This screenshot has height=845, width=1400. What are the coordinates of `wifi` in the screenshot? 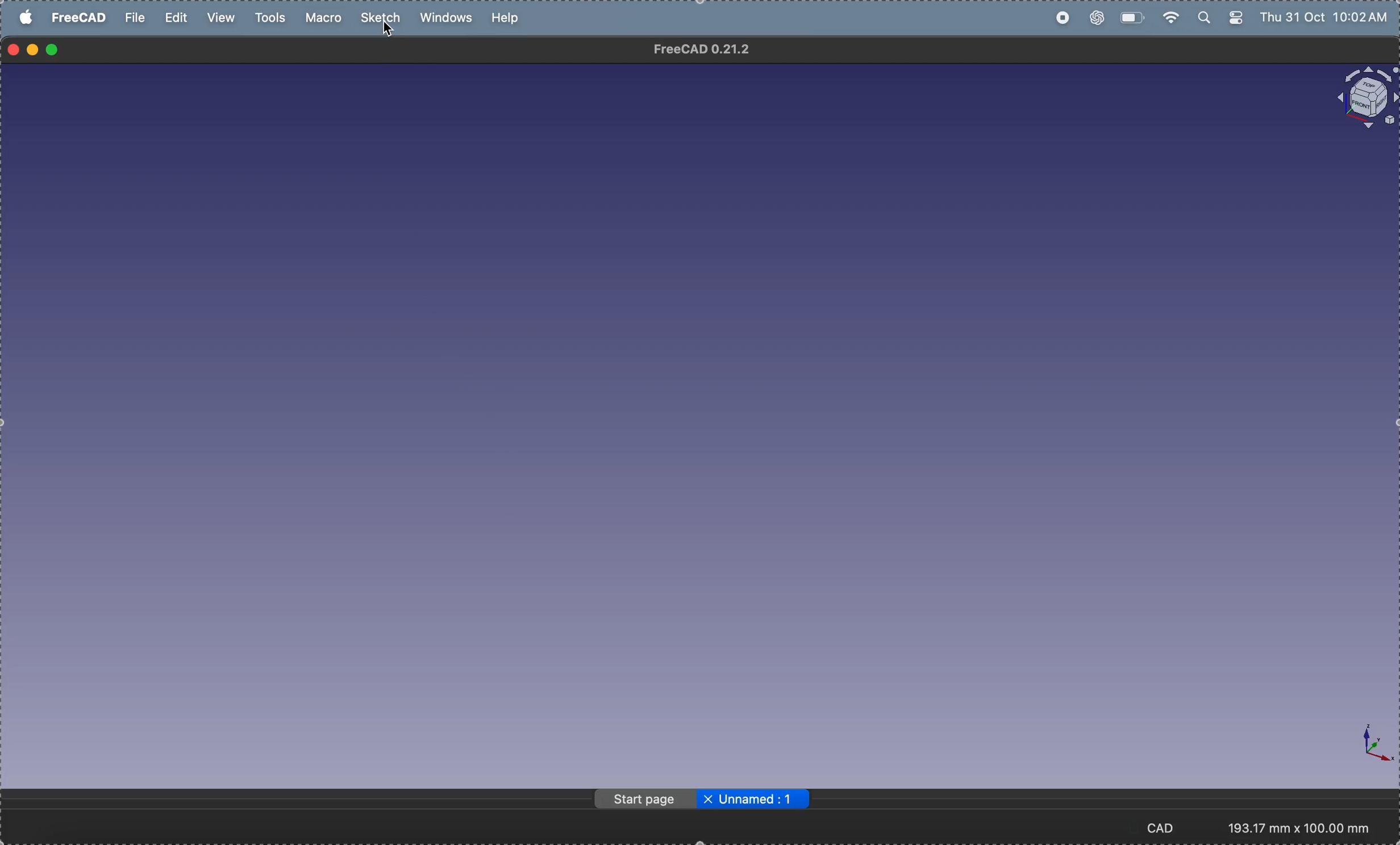 It's located at (1168, 18).